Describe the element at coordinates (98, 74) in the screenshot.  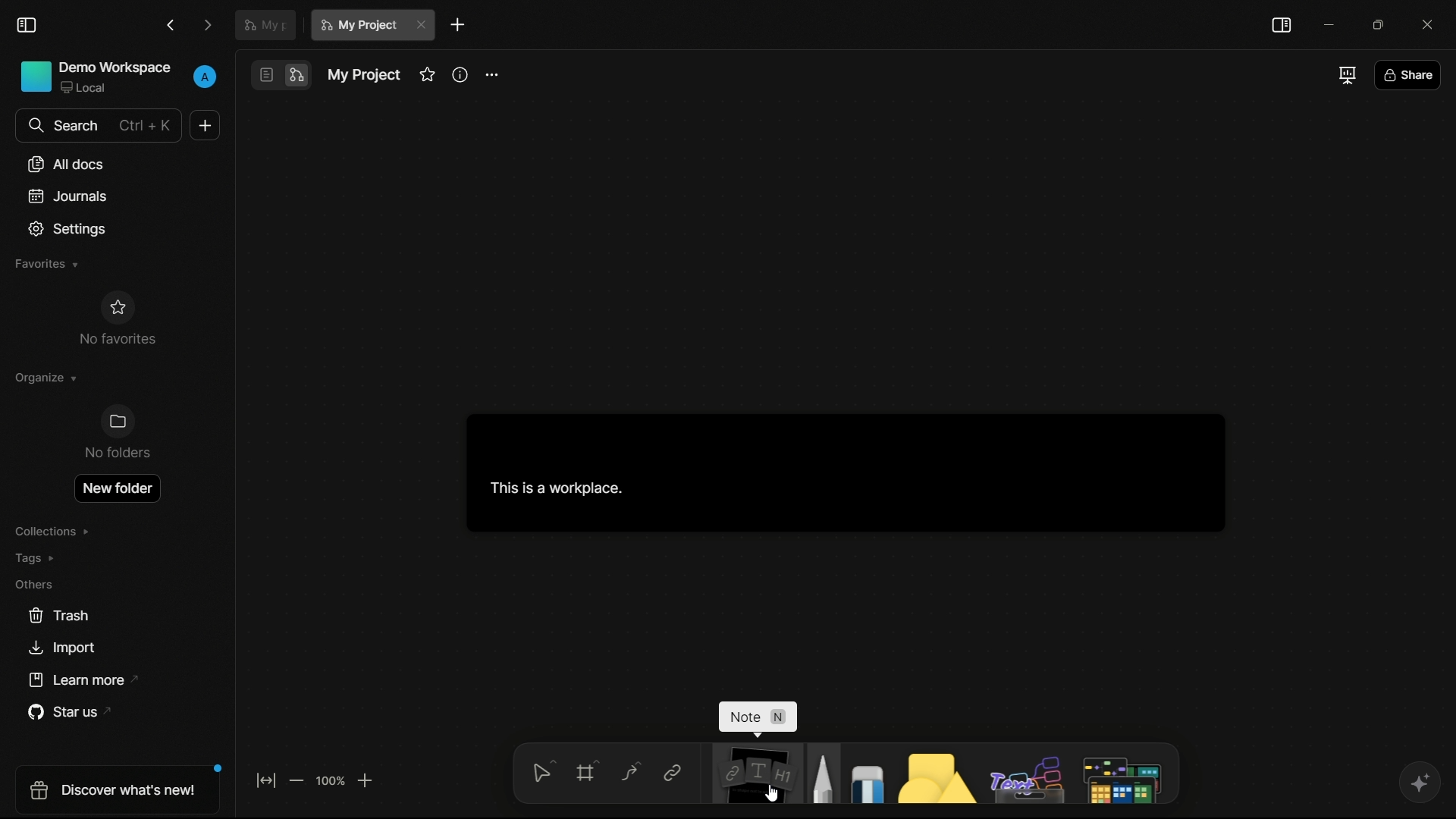
I see `demo workspace` at that location.